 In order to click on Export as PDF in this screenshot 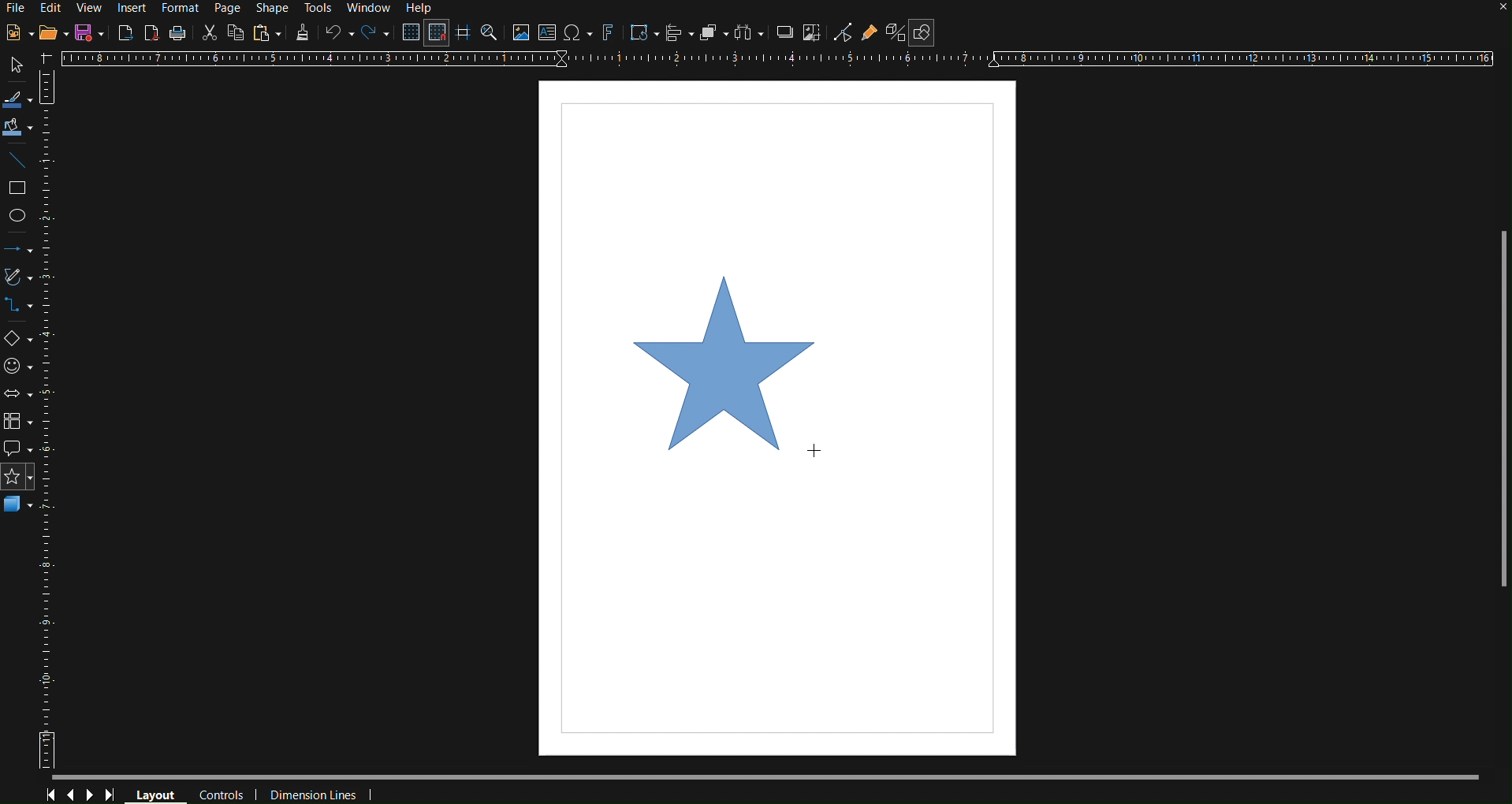, I will do `click(152, 32)`.